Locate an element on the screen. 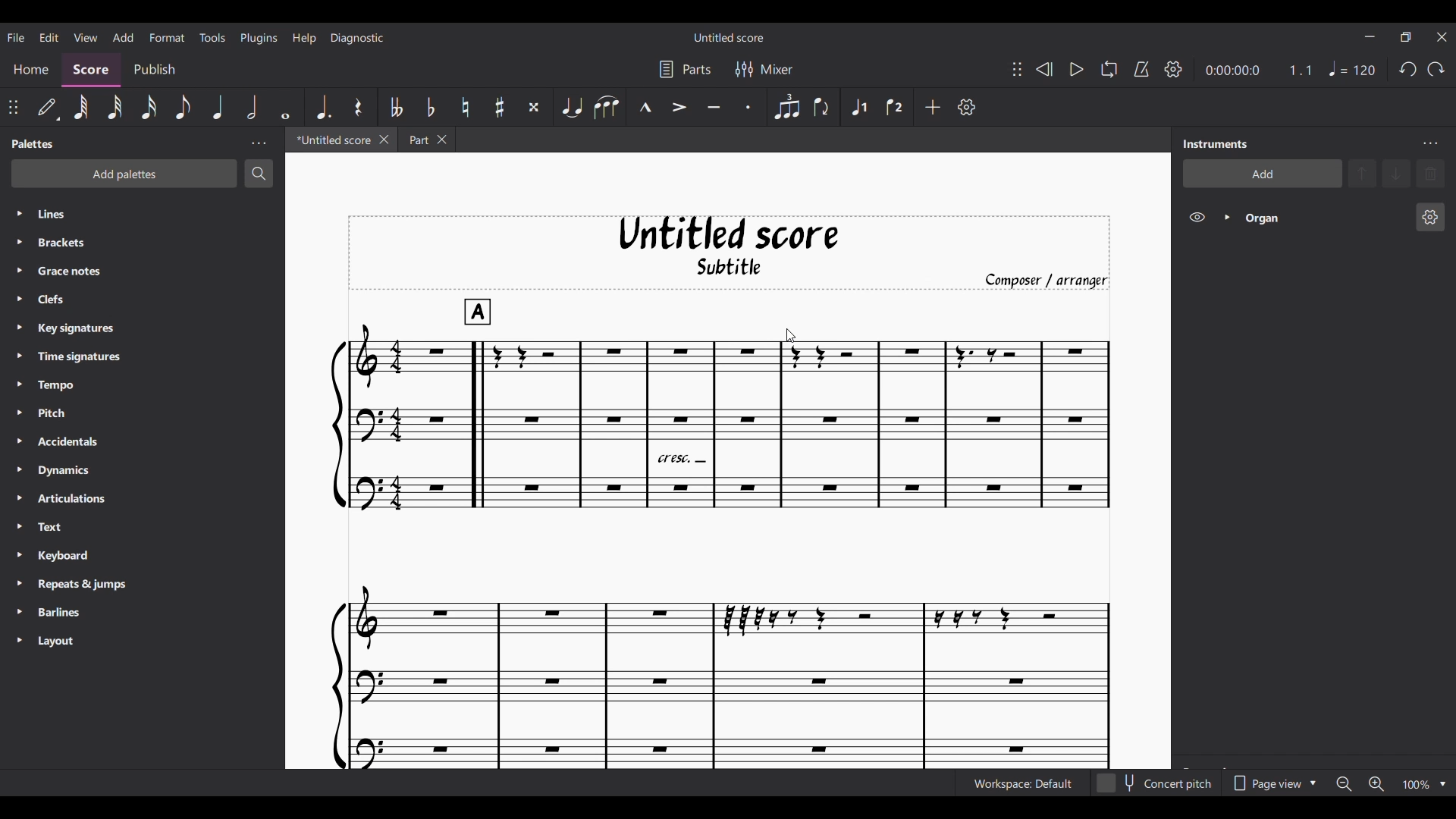 The image size is (1456, 819). Expand respective palette is located at coordinates (19, 427).